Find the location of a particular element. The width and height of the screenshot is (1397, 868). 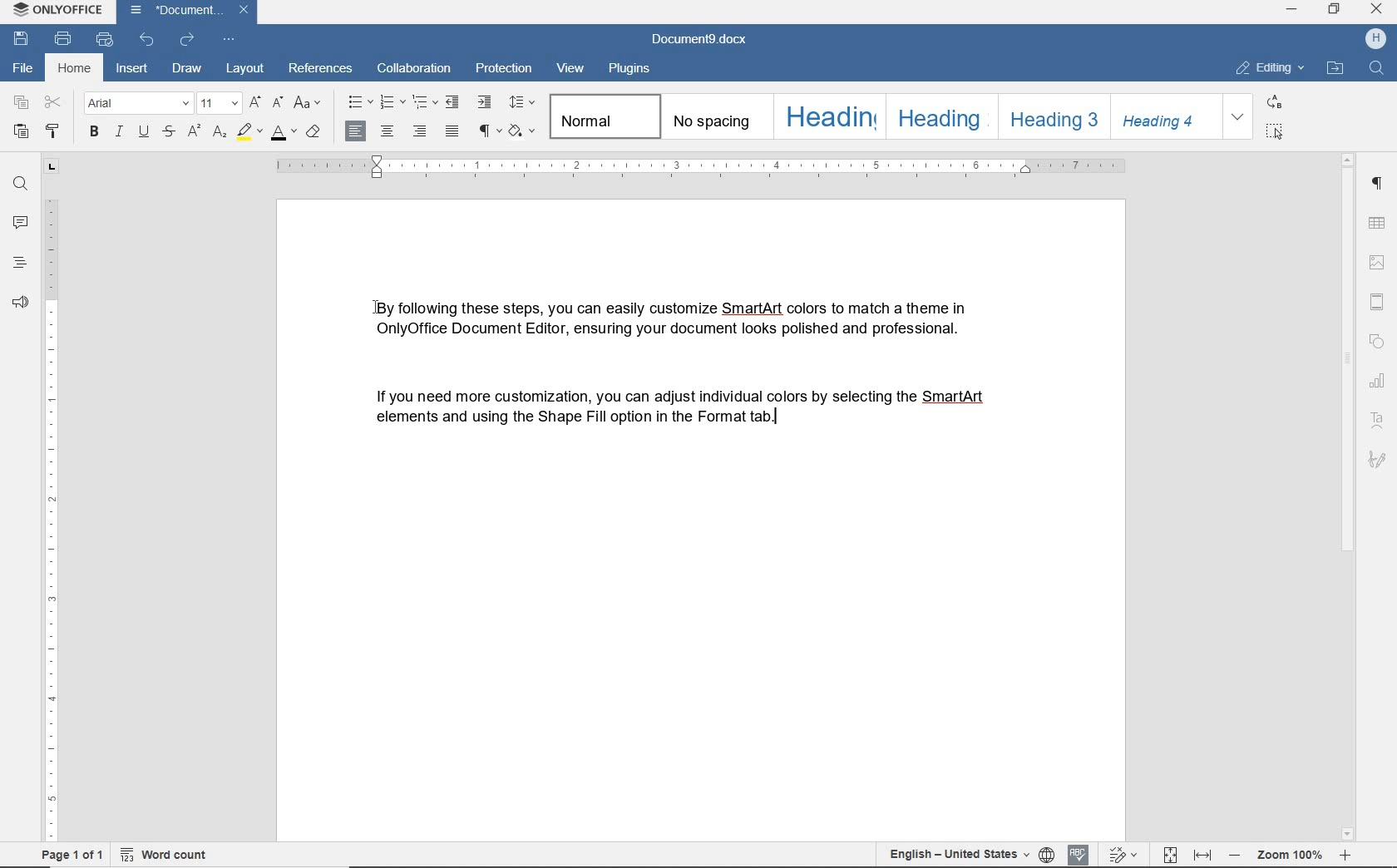

text language is located at coordinates (955, 851).